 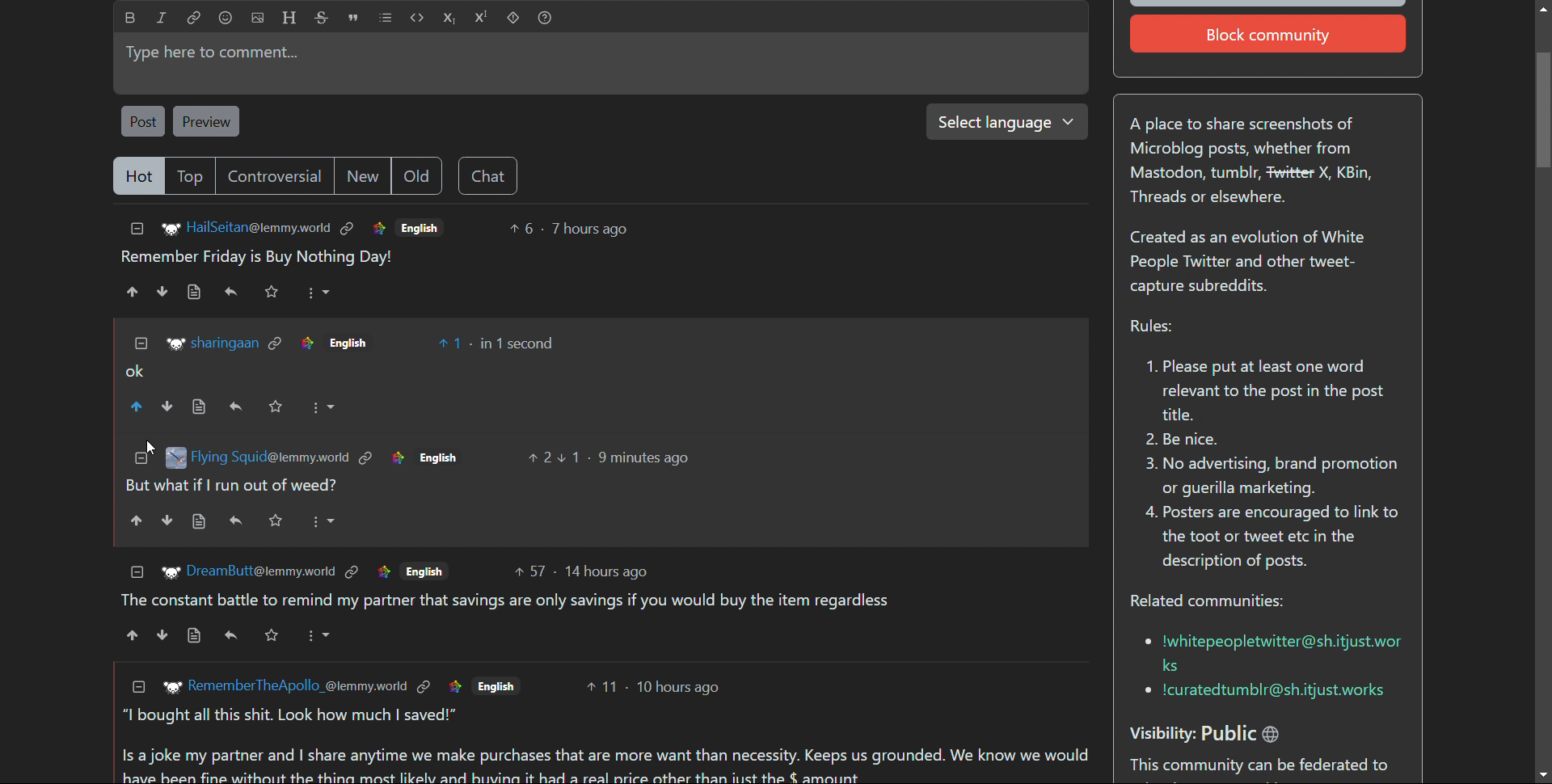 I want to click on 2. Be nice., so click(x=1191, y=440).